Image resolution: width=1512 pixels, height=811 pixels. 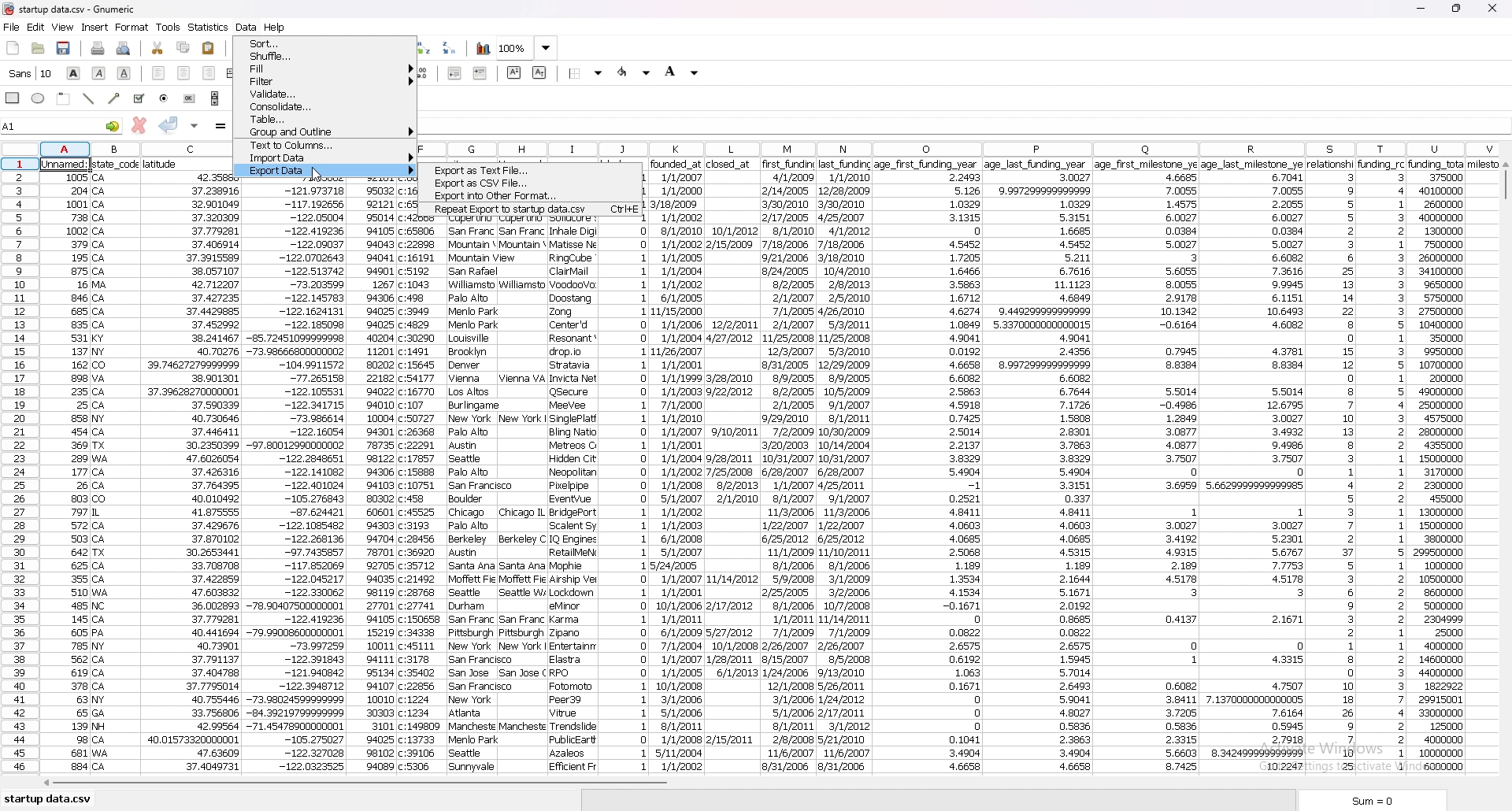 What do you see at coordinates (731, 462) in the screenshot?
I see `data` at bounding box center [731, 462].